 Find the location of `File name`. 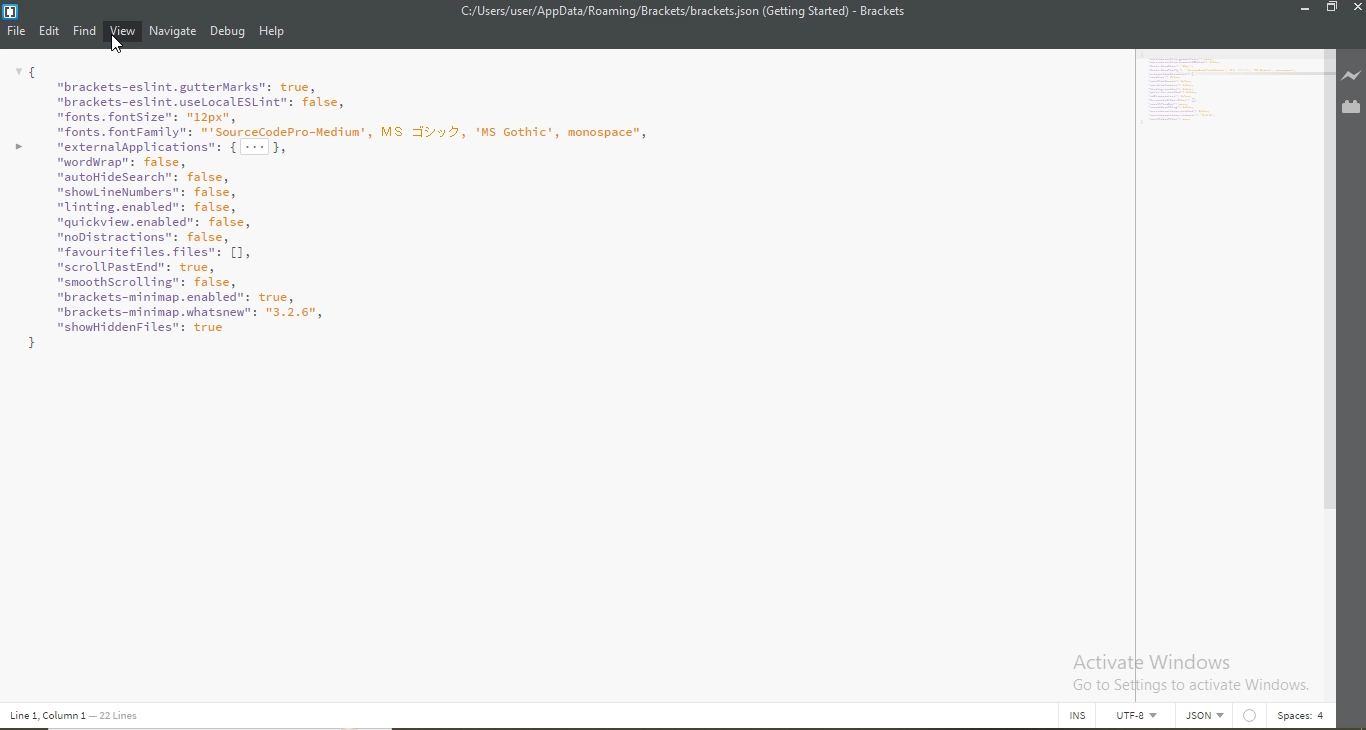

File name is located at coordinates (681, 11).